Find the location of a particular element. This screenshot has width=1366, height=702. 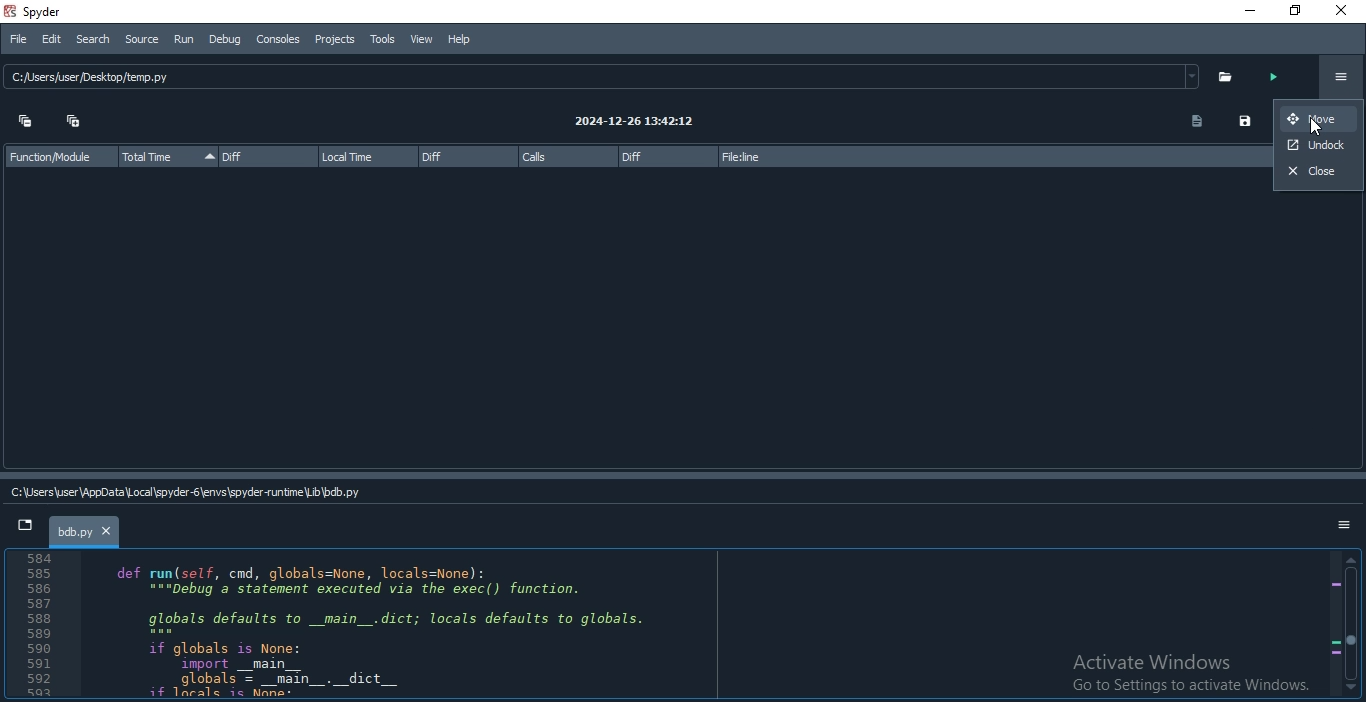

Diff is located at coordinates (263, 156).